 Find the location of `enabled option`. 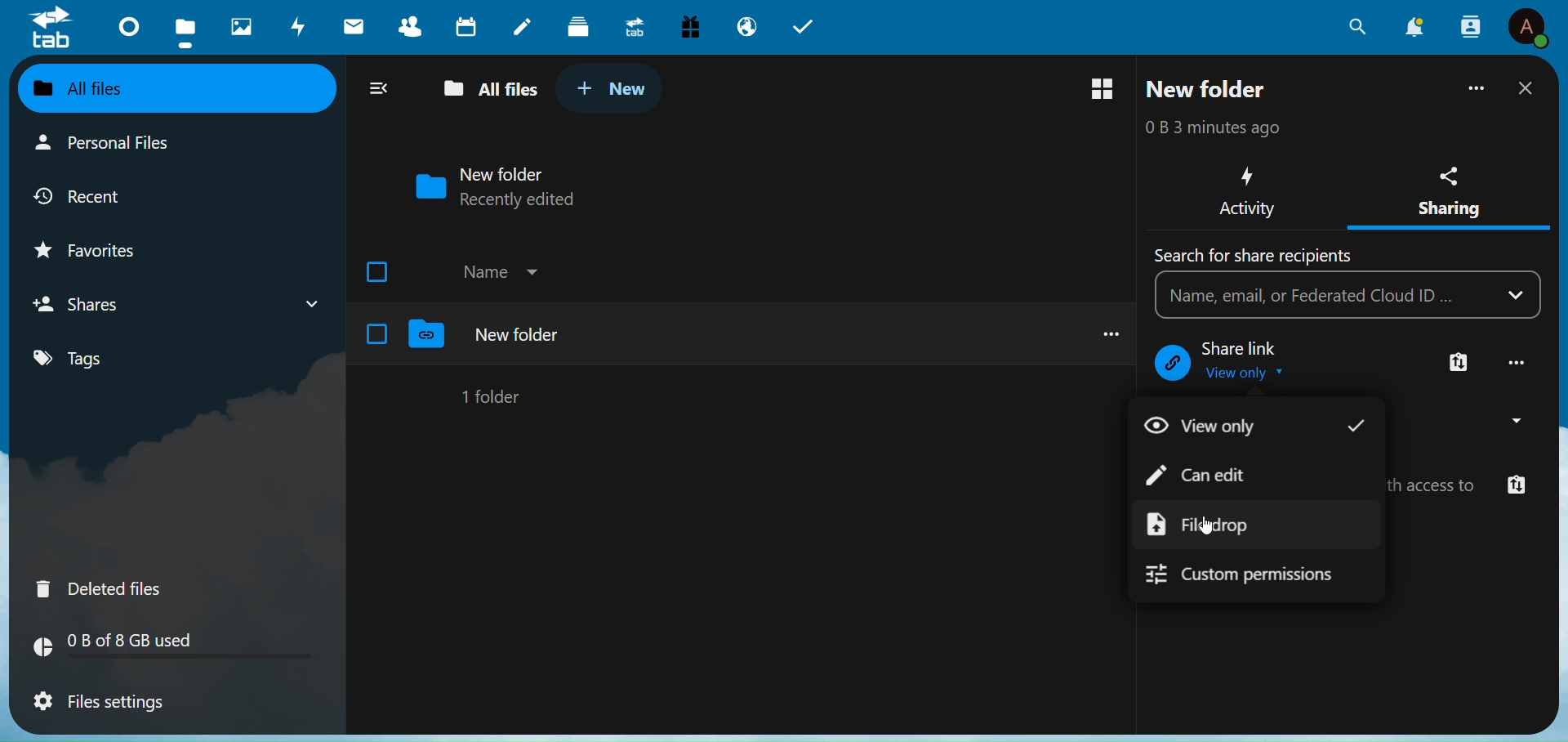

enabled option is located at coordinates (1356, 426).